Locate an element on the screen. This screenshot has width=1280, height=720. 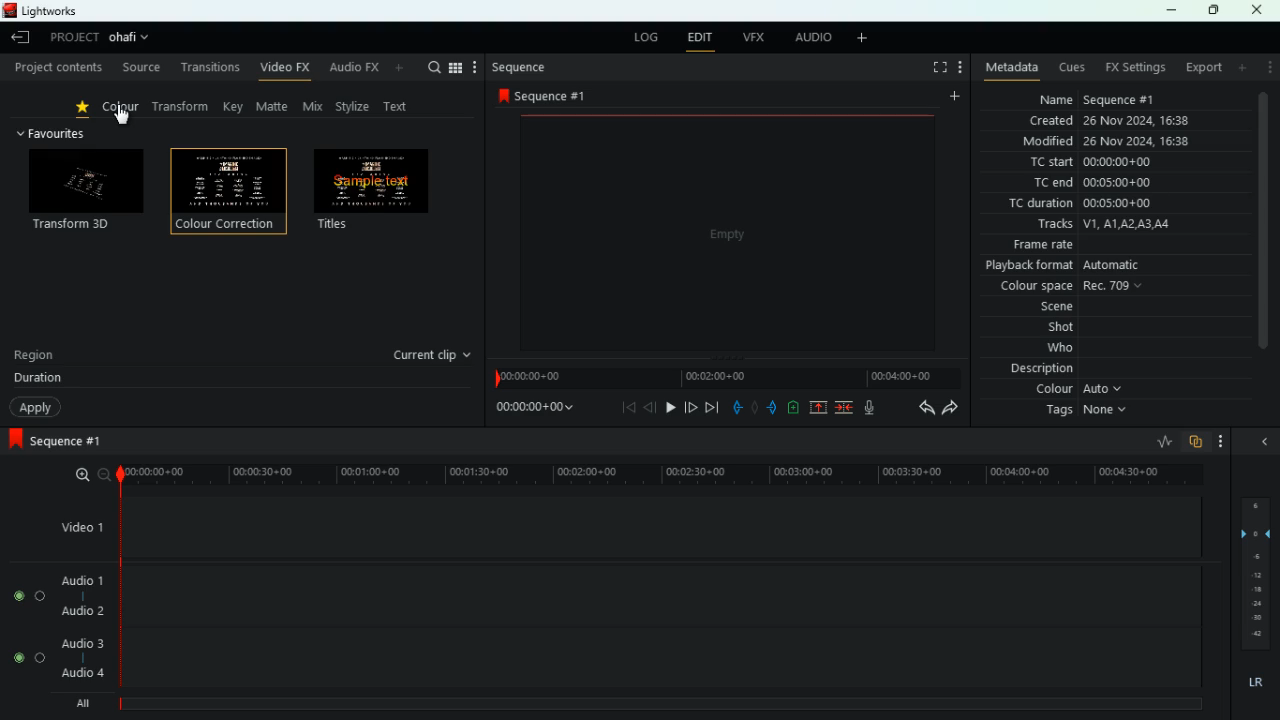
backward is located at coordinates (651, 409).